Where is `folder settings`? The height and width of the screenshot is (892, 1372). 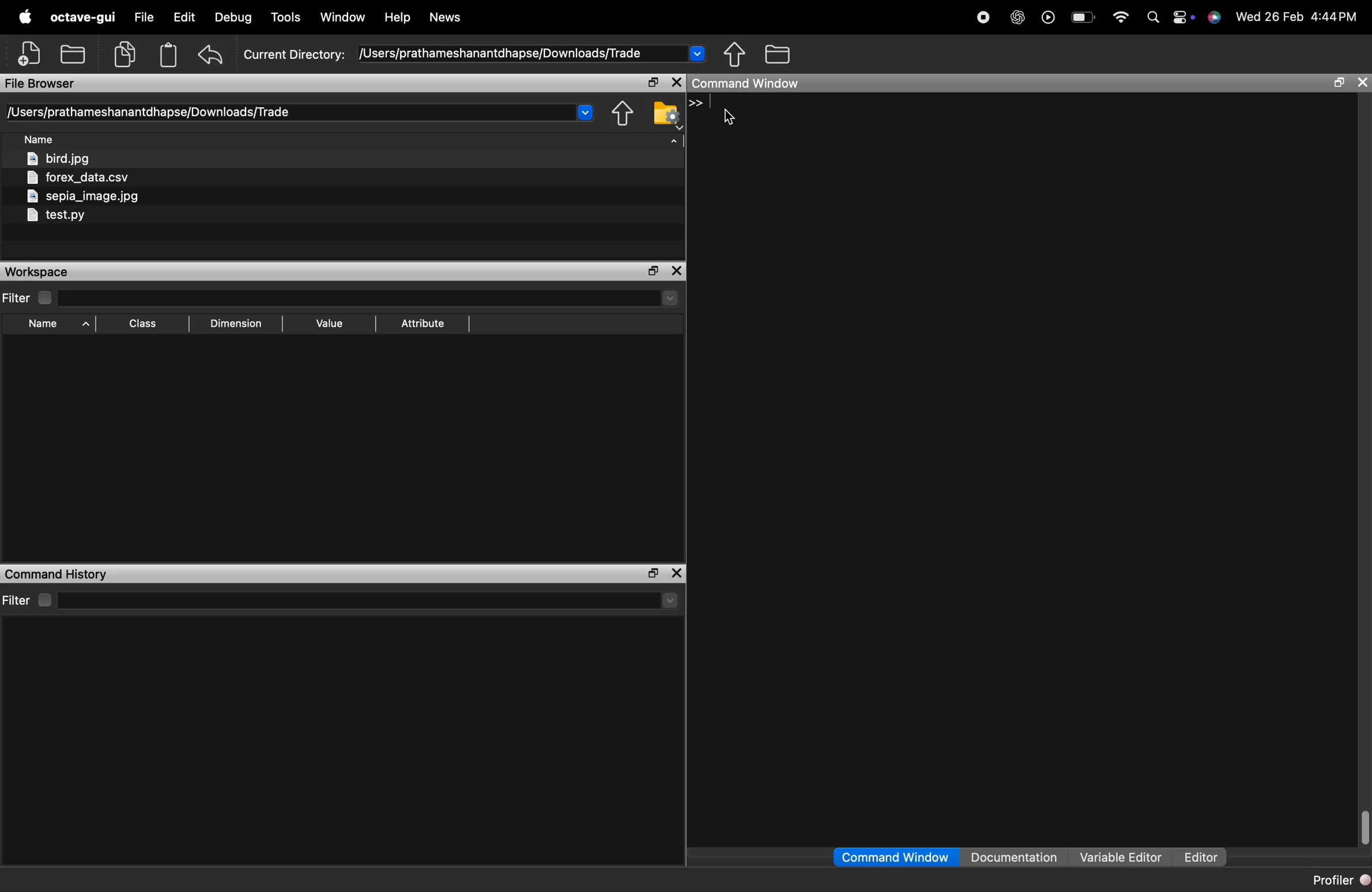
folder settings is located at coordinates (666, 114).